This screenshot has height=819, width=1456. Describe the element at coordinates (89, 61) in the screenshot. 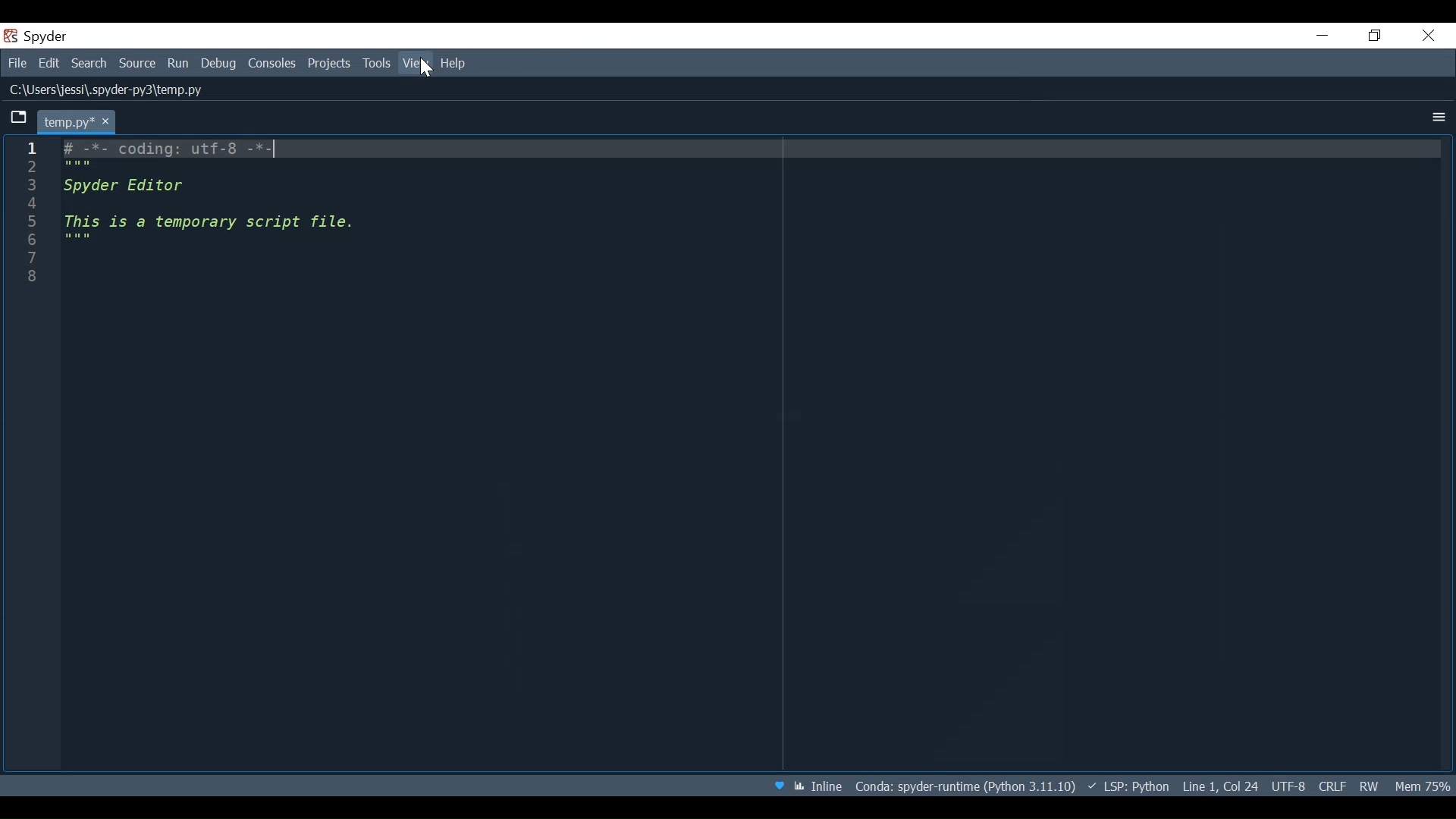

I see `Search` at that location.